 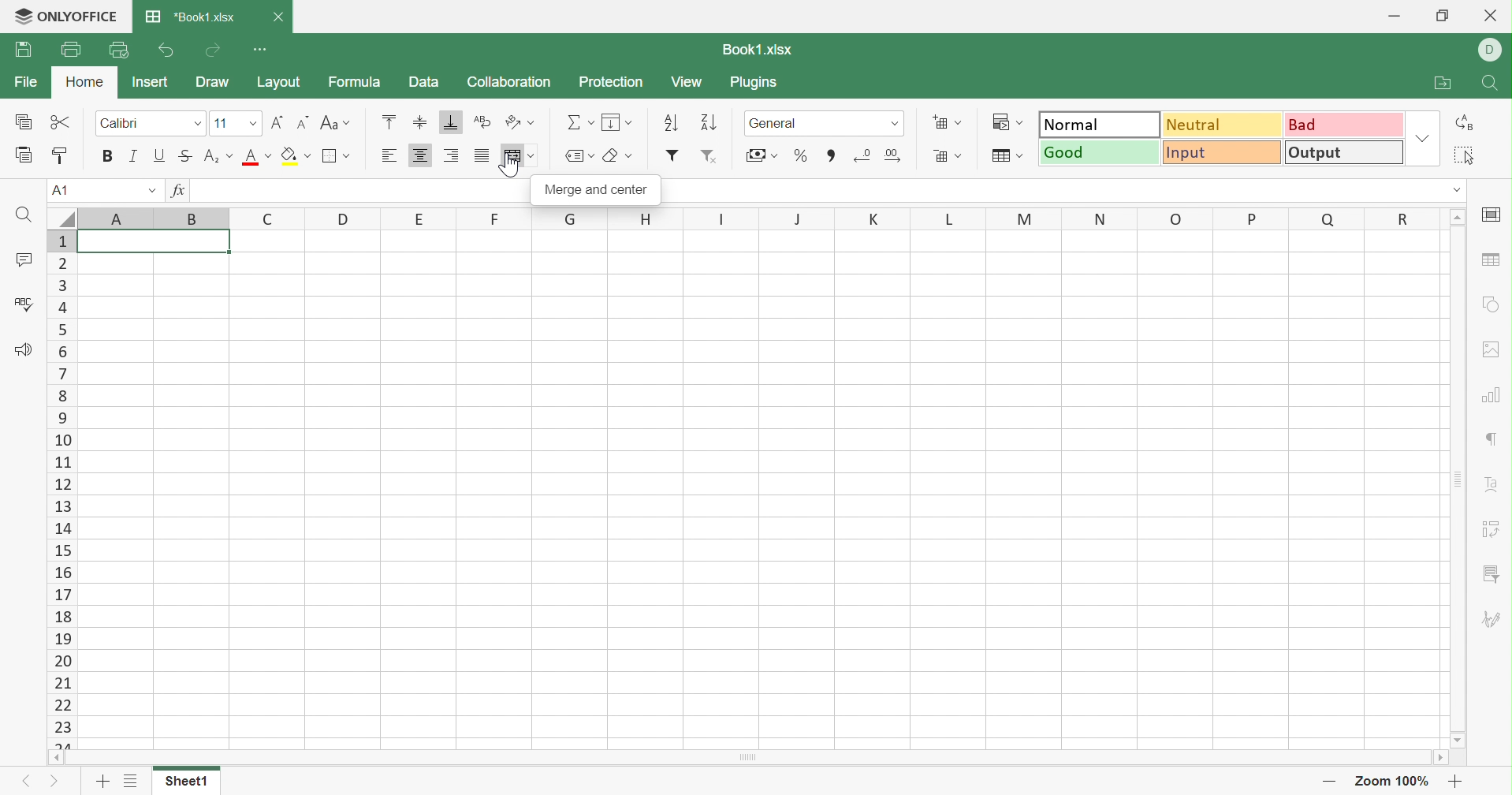 I want to click on Sheet1, so click(x=188, y=784).